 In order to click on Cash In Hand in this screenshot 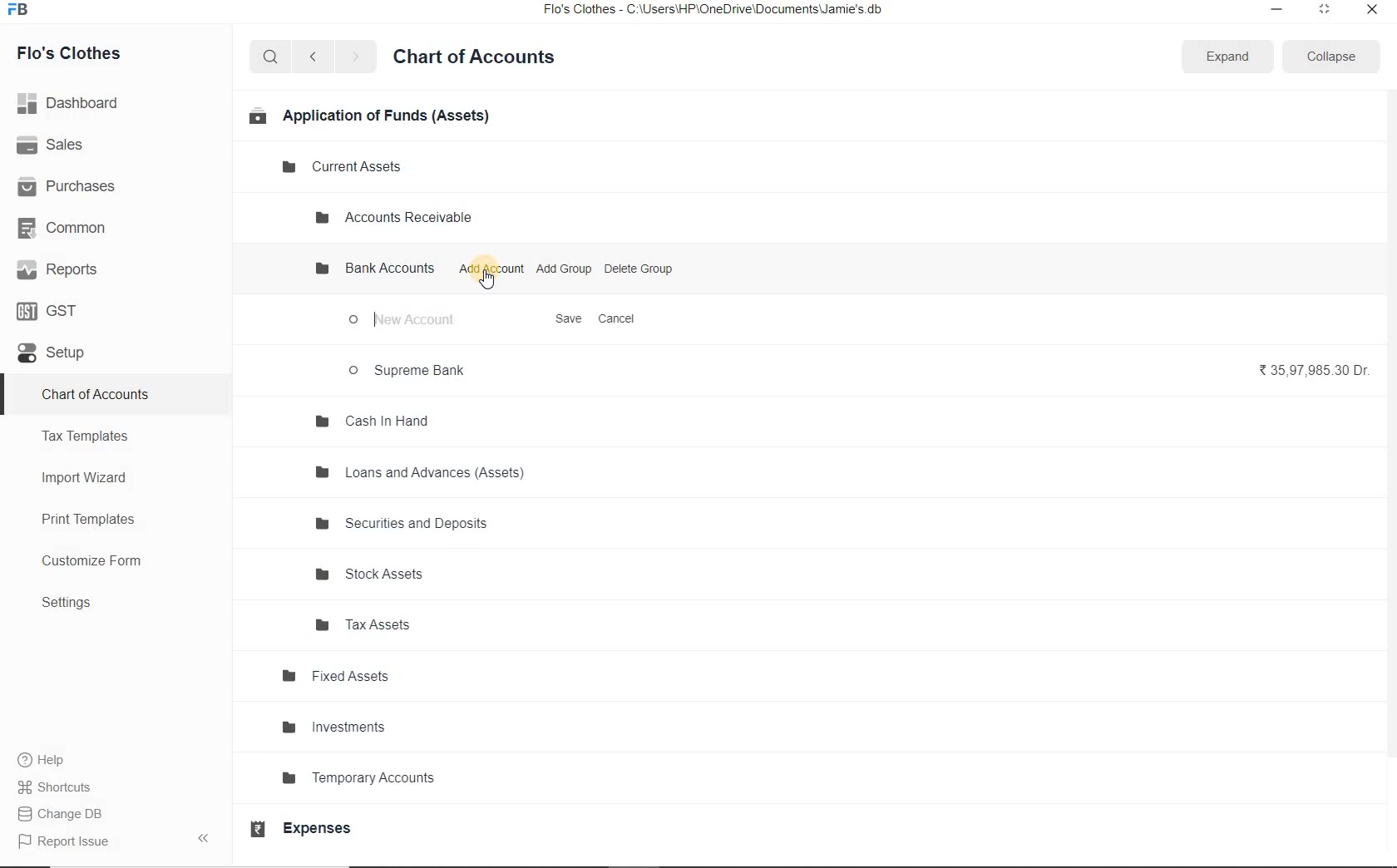, I will do `click(377, 421)`.